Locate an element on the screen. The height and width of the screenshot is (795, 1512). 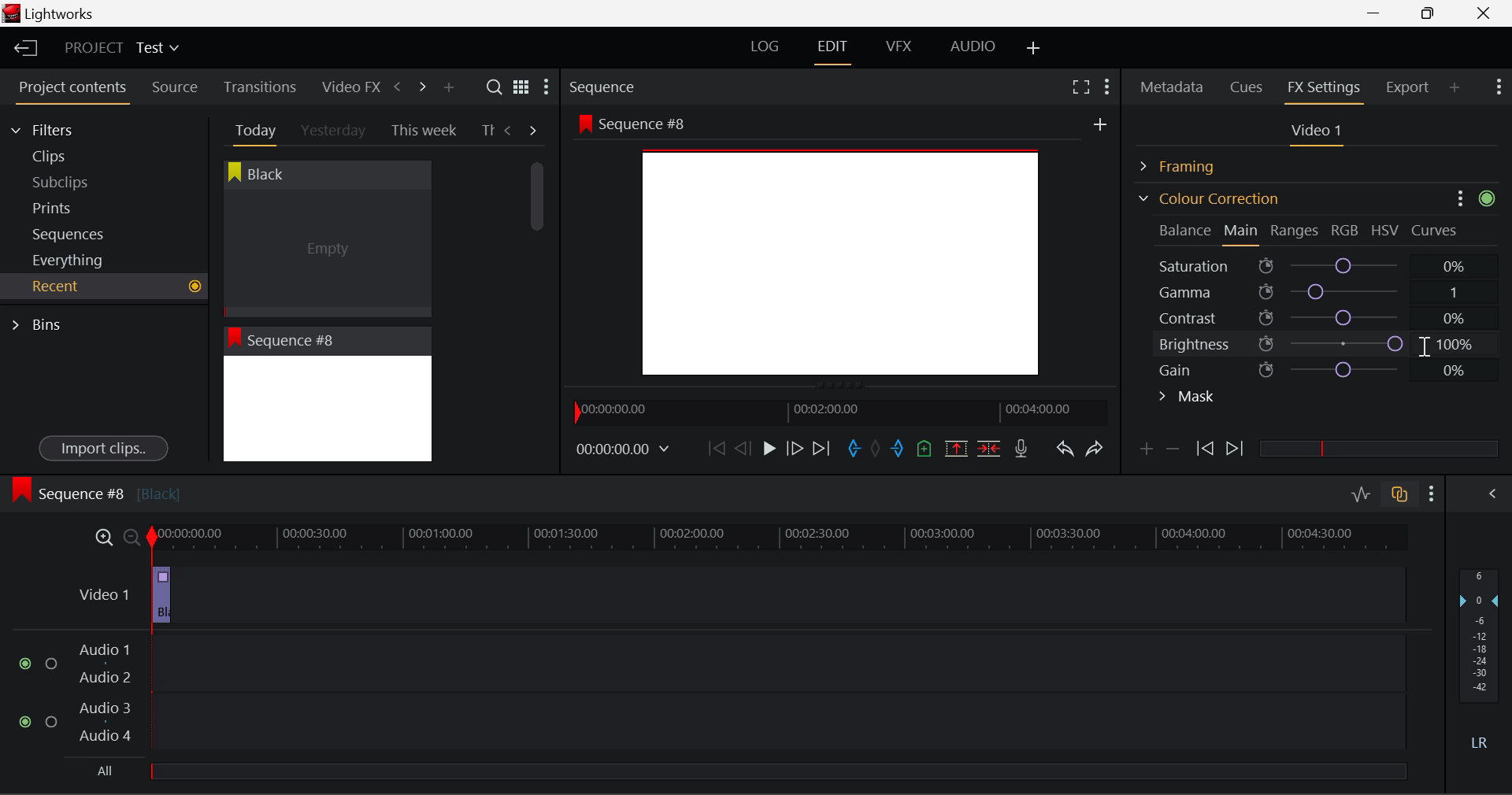
Video 1 Settings is located at coordinates (1319, 134).